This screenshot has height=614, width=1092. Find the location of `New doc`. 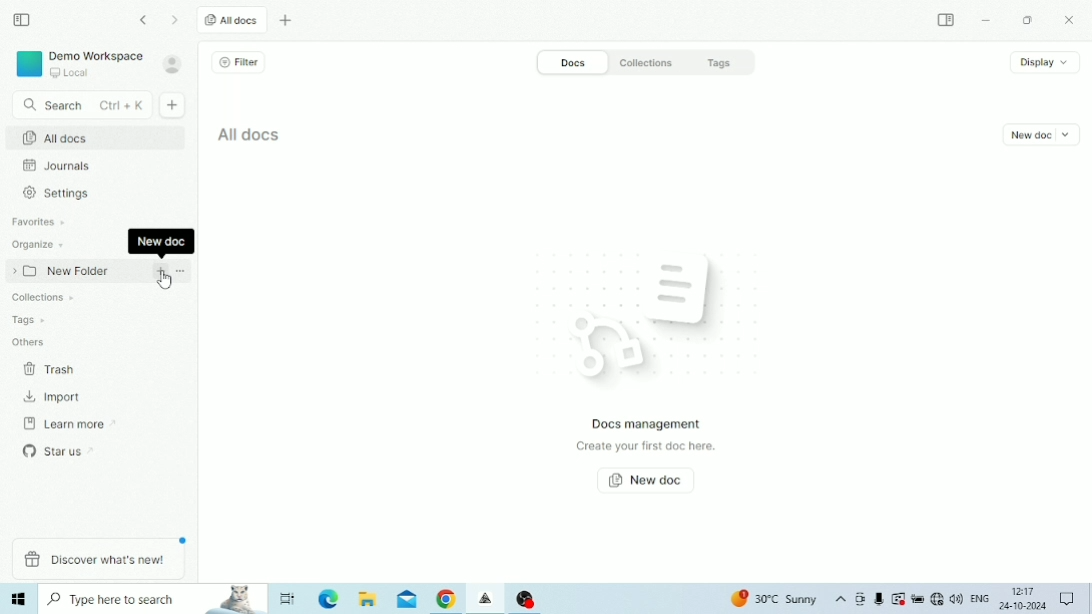

New doc is located at coordinates (174, 105).